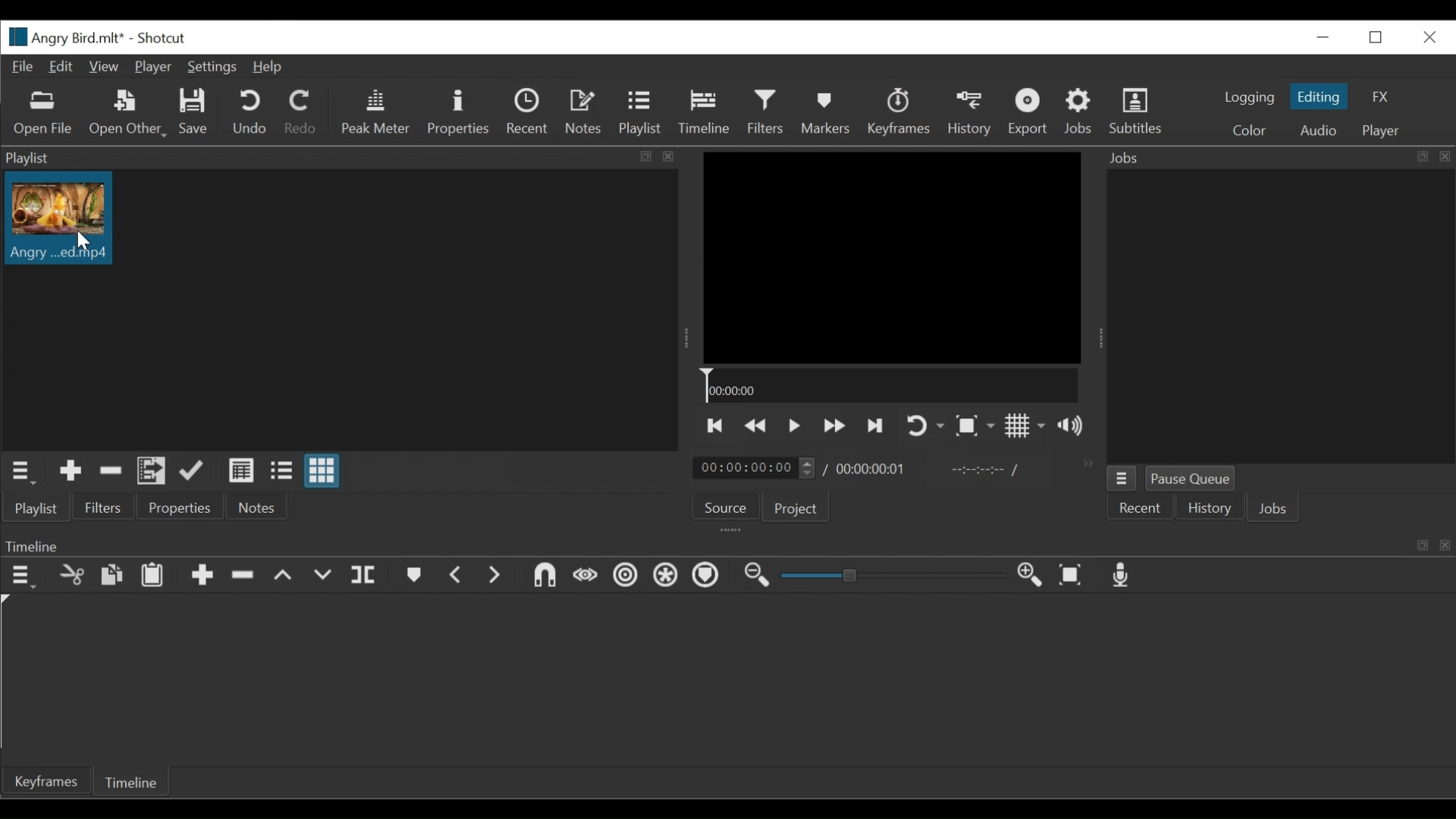 The image size is (1456, 819). I want to click on time, so click(754, 469).